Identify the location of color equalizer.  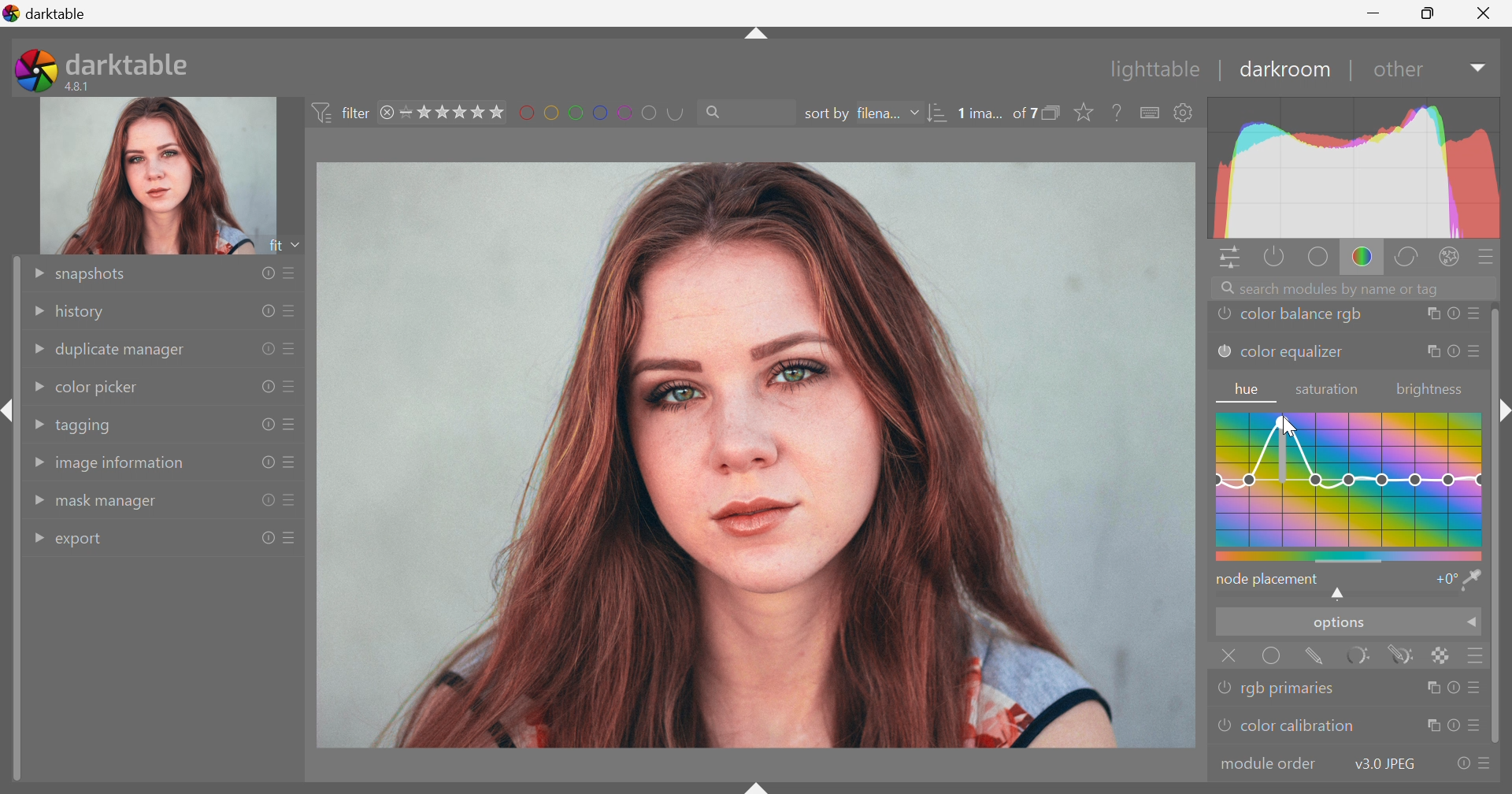
(1293, 355).